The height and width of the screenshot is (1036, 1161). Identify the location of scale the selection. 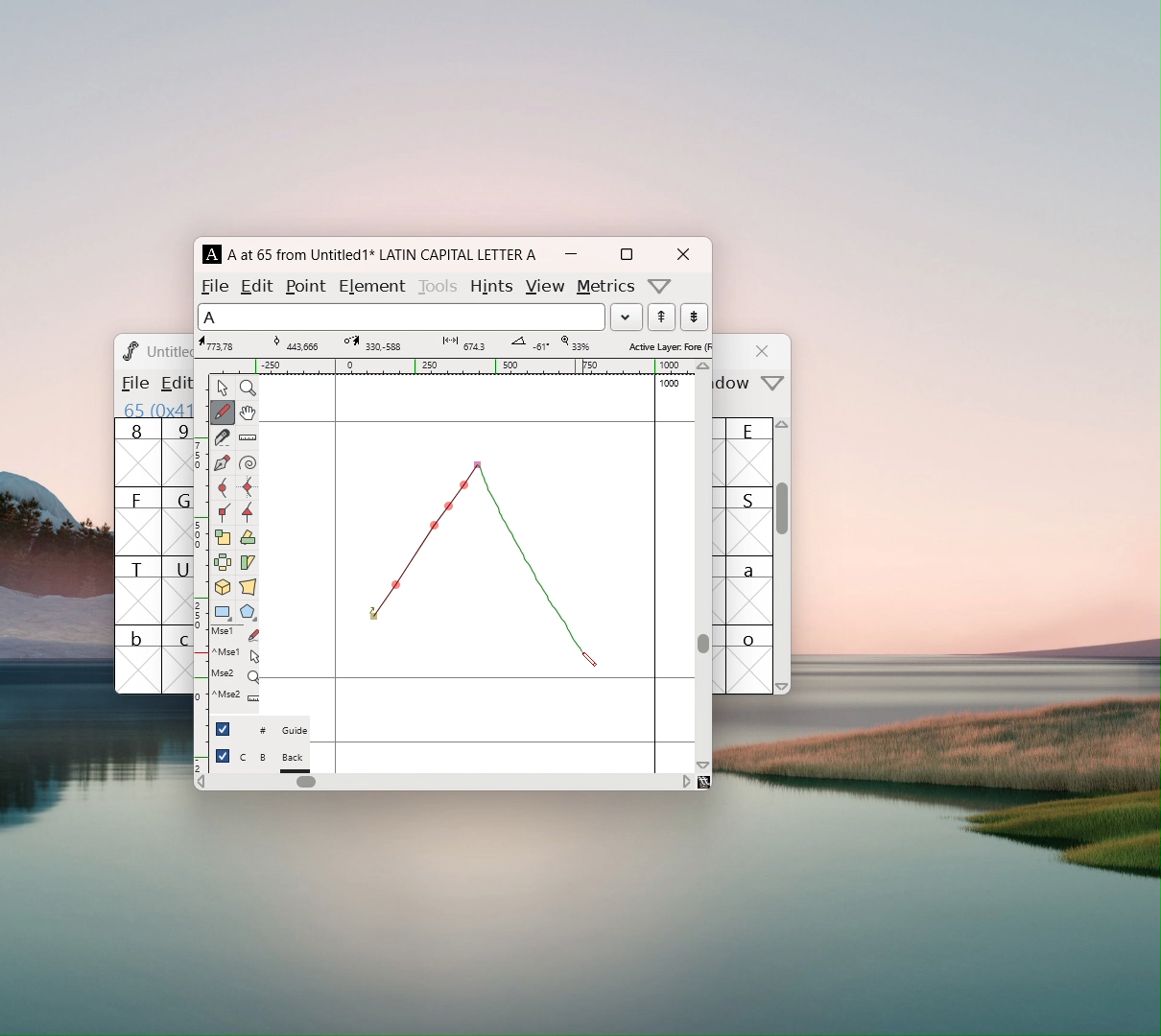
(223, 538).